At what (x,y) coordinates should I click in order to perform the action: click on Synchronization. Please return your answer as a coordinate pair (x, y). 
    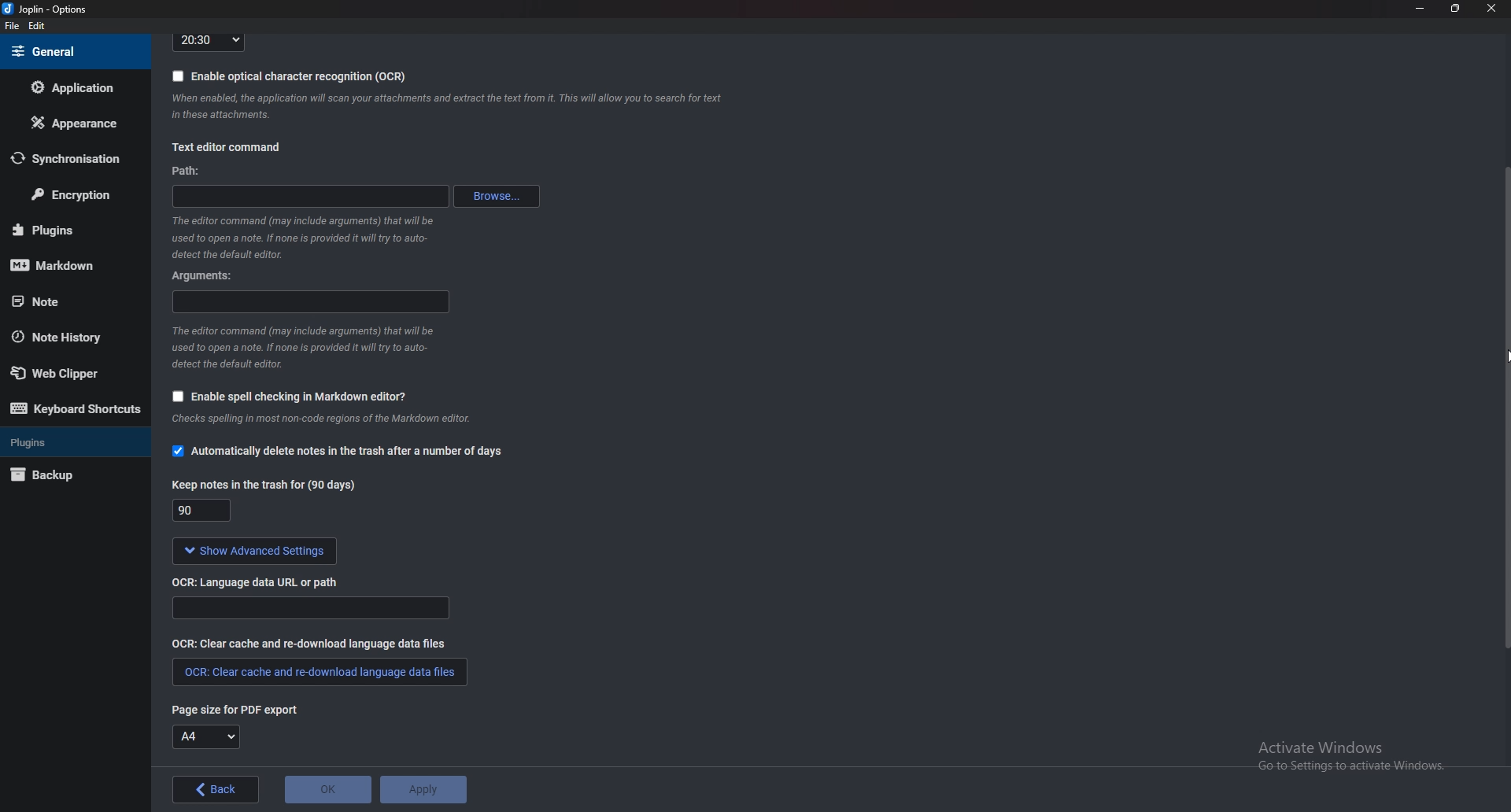
    Looking at the image, I should click on (66, 159).